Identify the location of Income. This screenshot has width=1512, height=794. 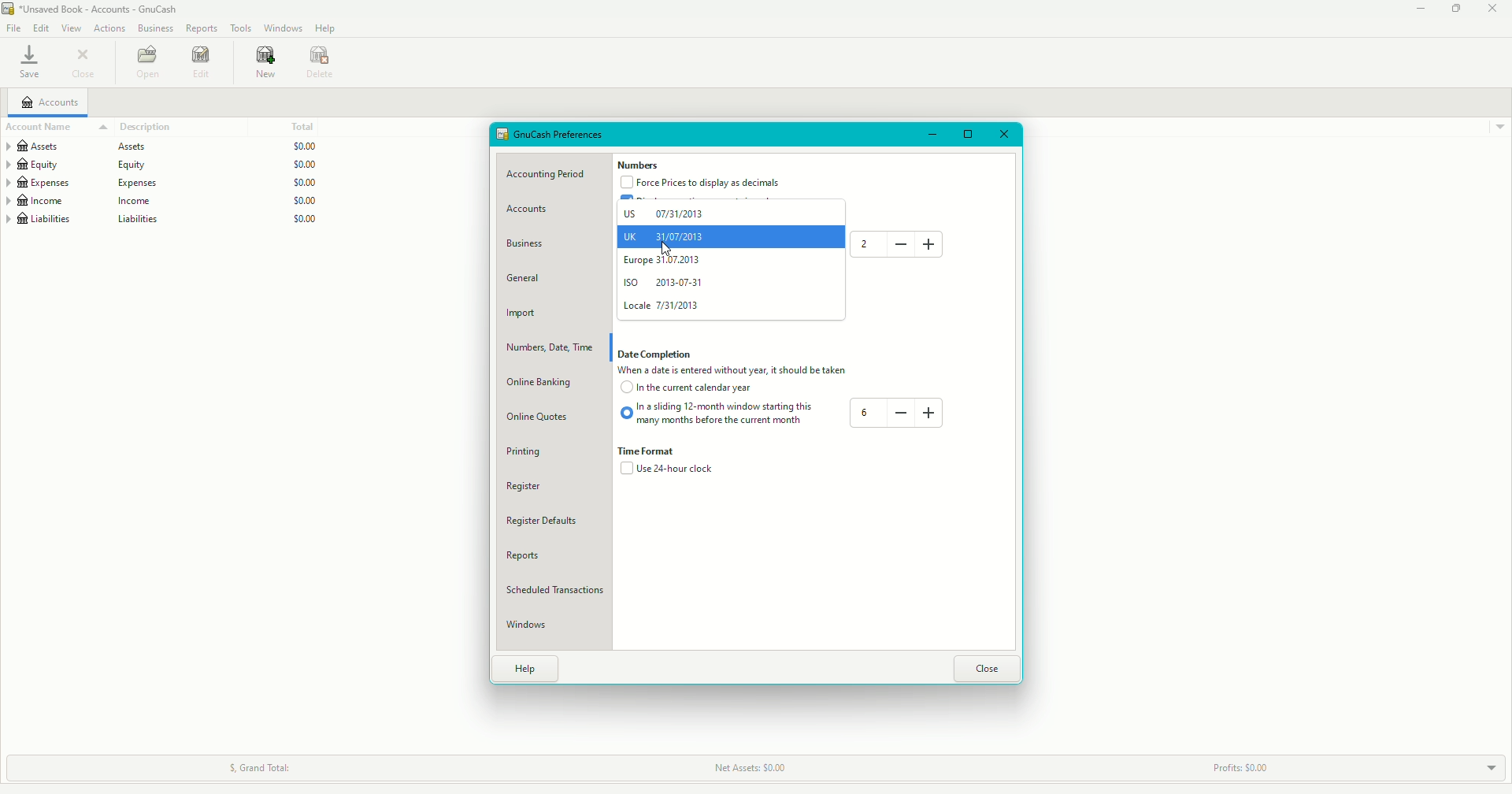
(162, 202).